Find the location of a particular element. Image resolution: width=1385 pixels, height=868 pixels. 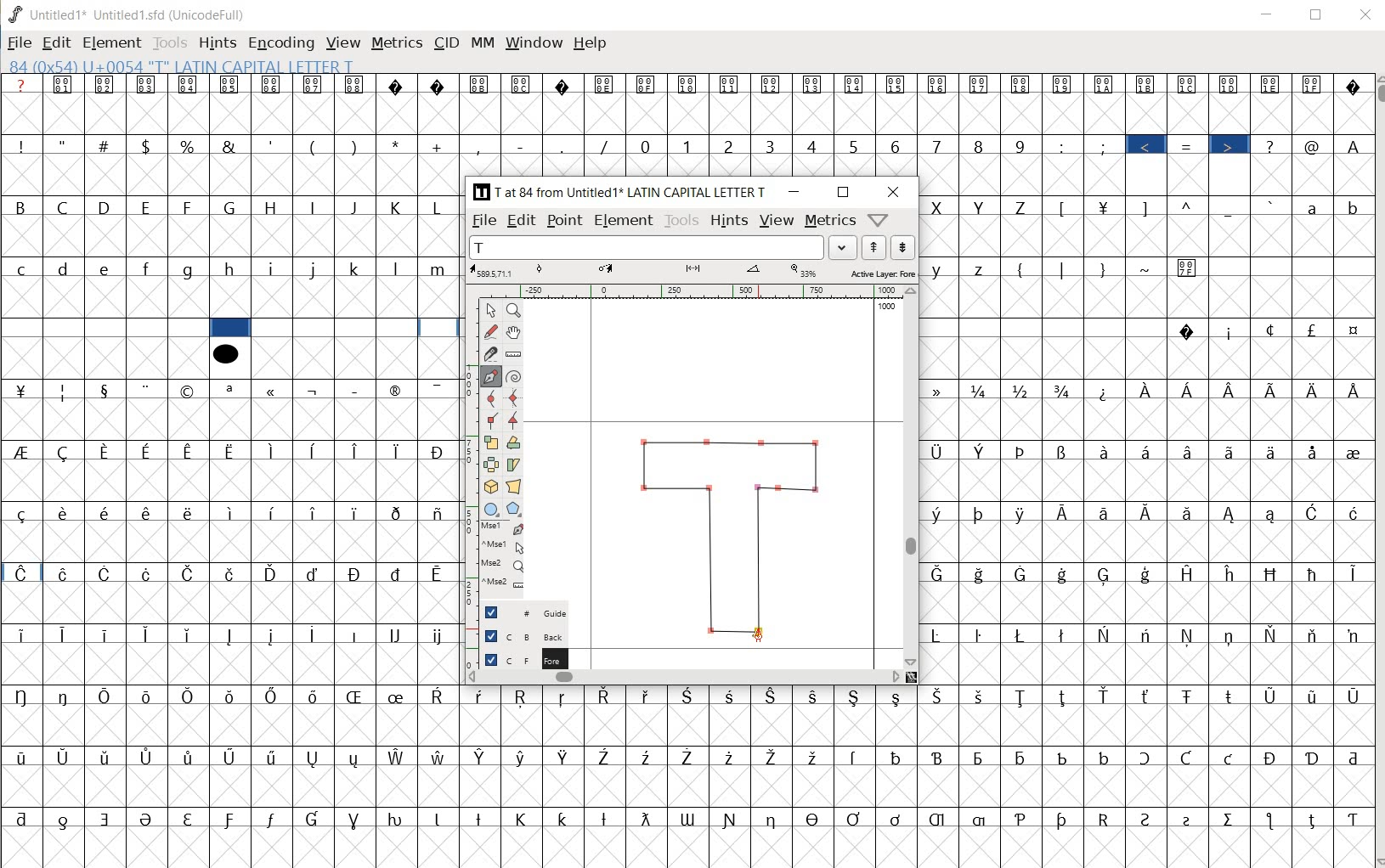

Untitled1* Untitled 1.sfd (UnicodeFull) is located at coordinates (135, 14).